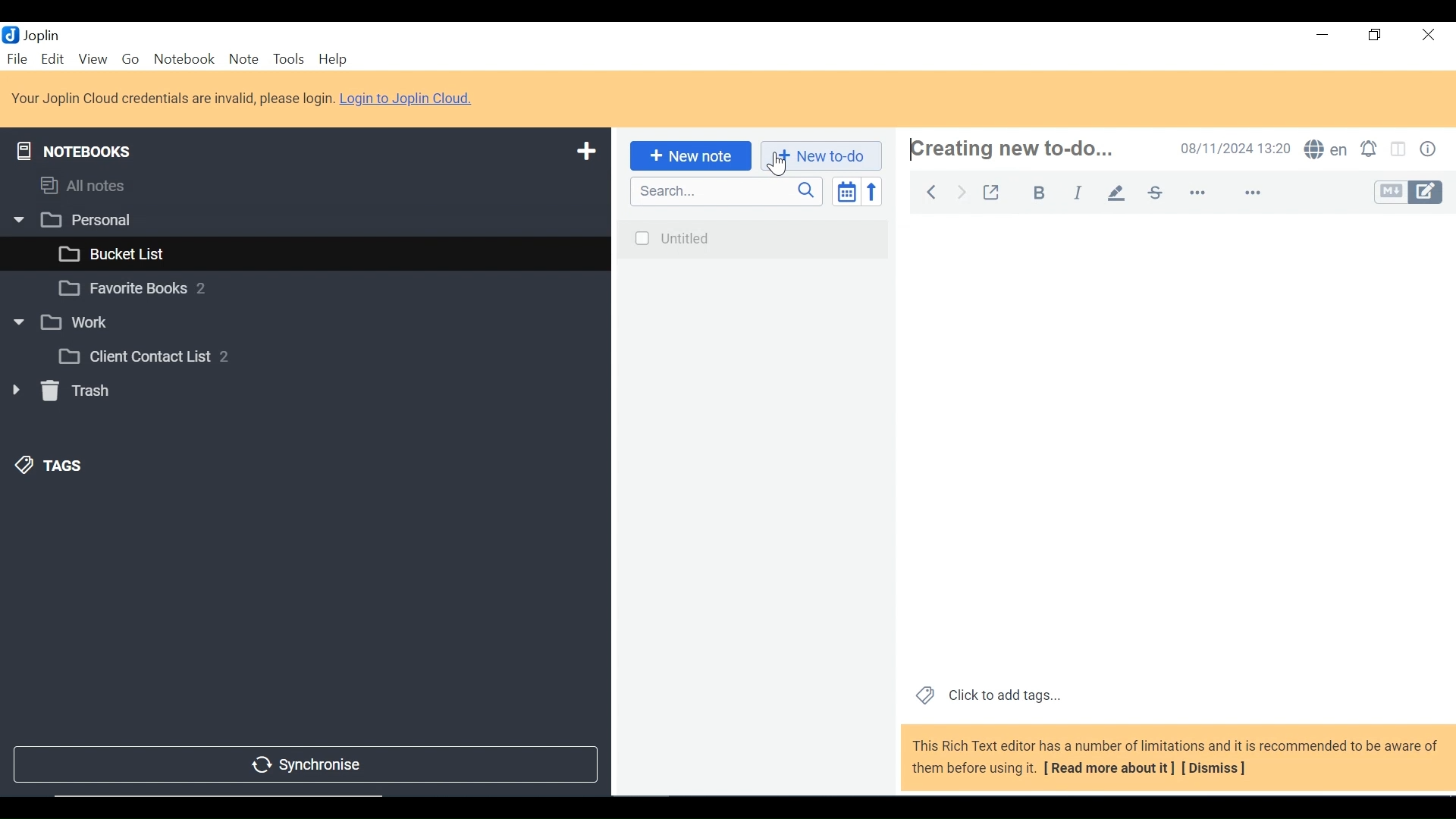 Image resolution: width=1456 pixels, height=819 pixels. What do you see at coordinates (333, 60) in the screenshot?
I see `Help` at bounding box center [333, 60].